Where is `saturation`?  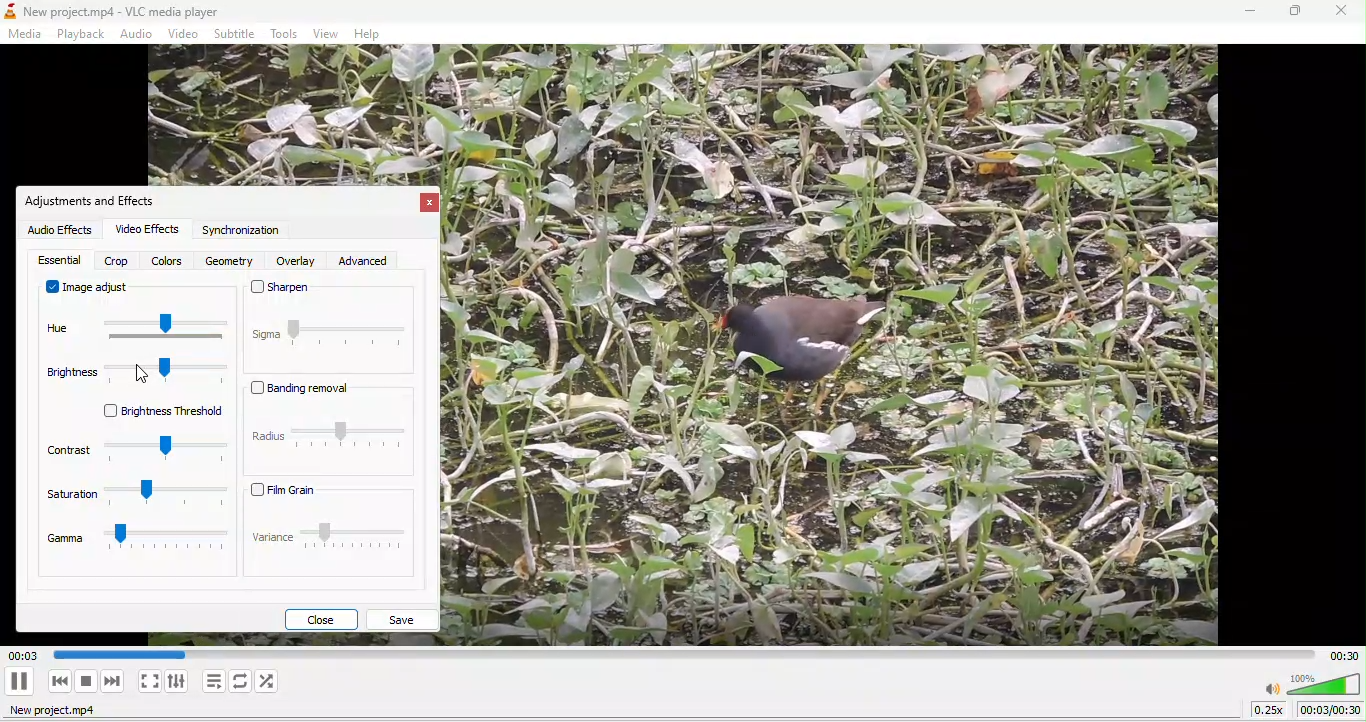
saturation is located at coordinates (134, 500).